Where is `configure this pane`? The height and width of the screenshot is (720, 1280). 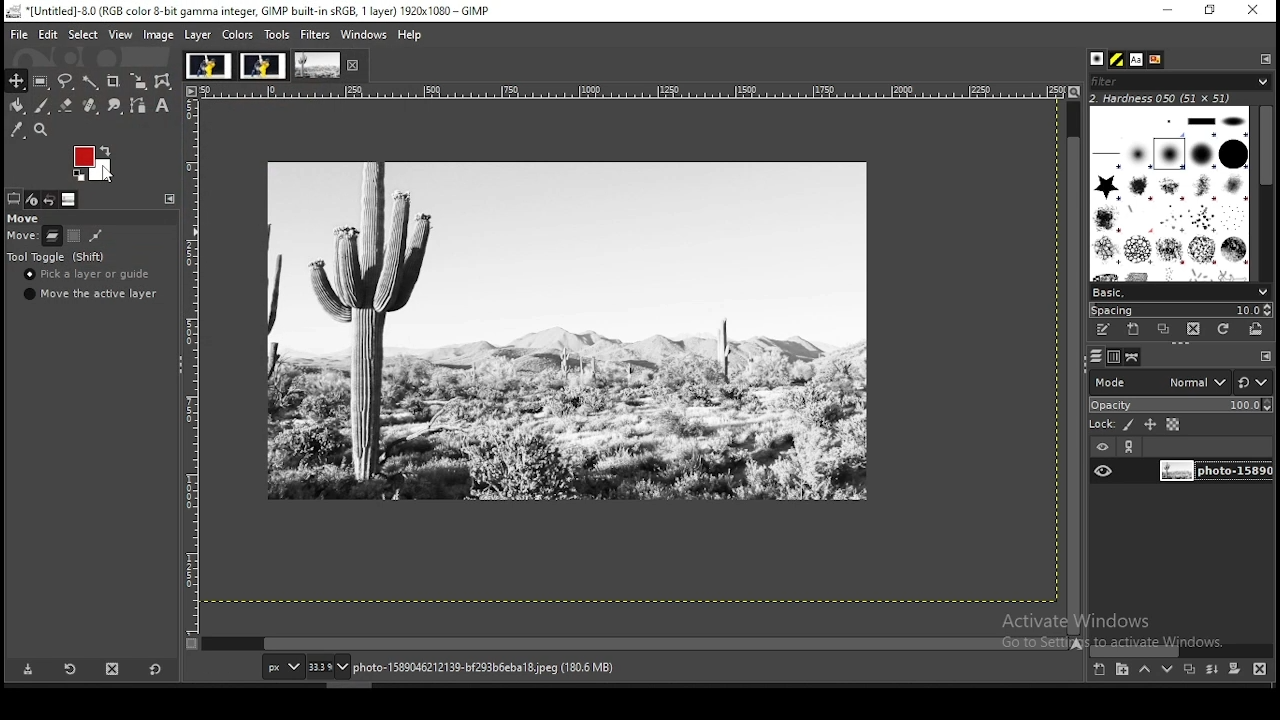
configure this pane is located at coordinates (1264, 356).